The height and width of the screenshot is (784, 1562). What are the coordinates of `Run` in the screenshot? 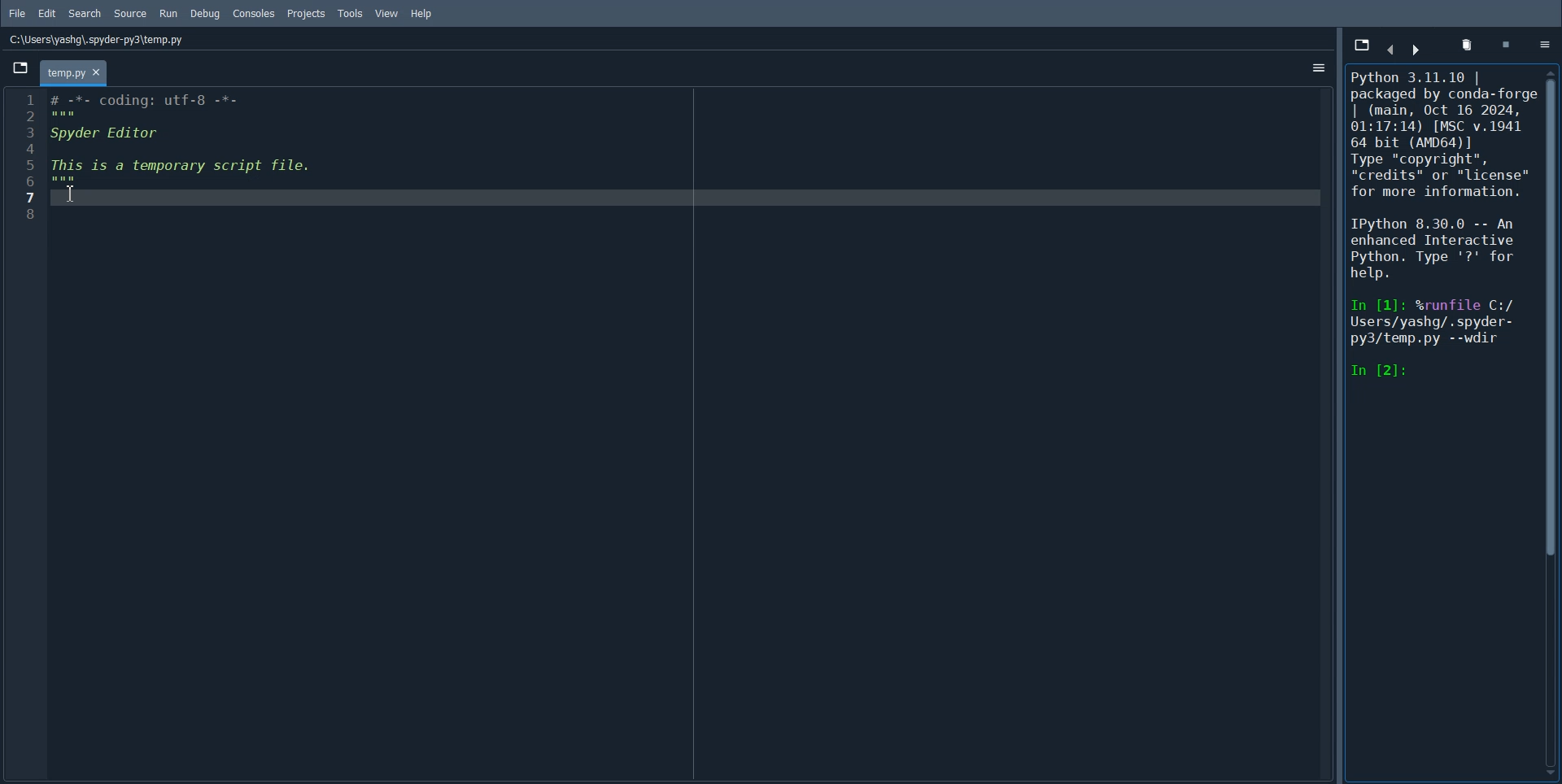 It's located at (173, 11).